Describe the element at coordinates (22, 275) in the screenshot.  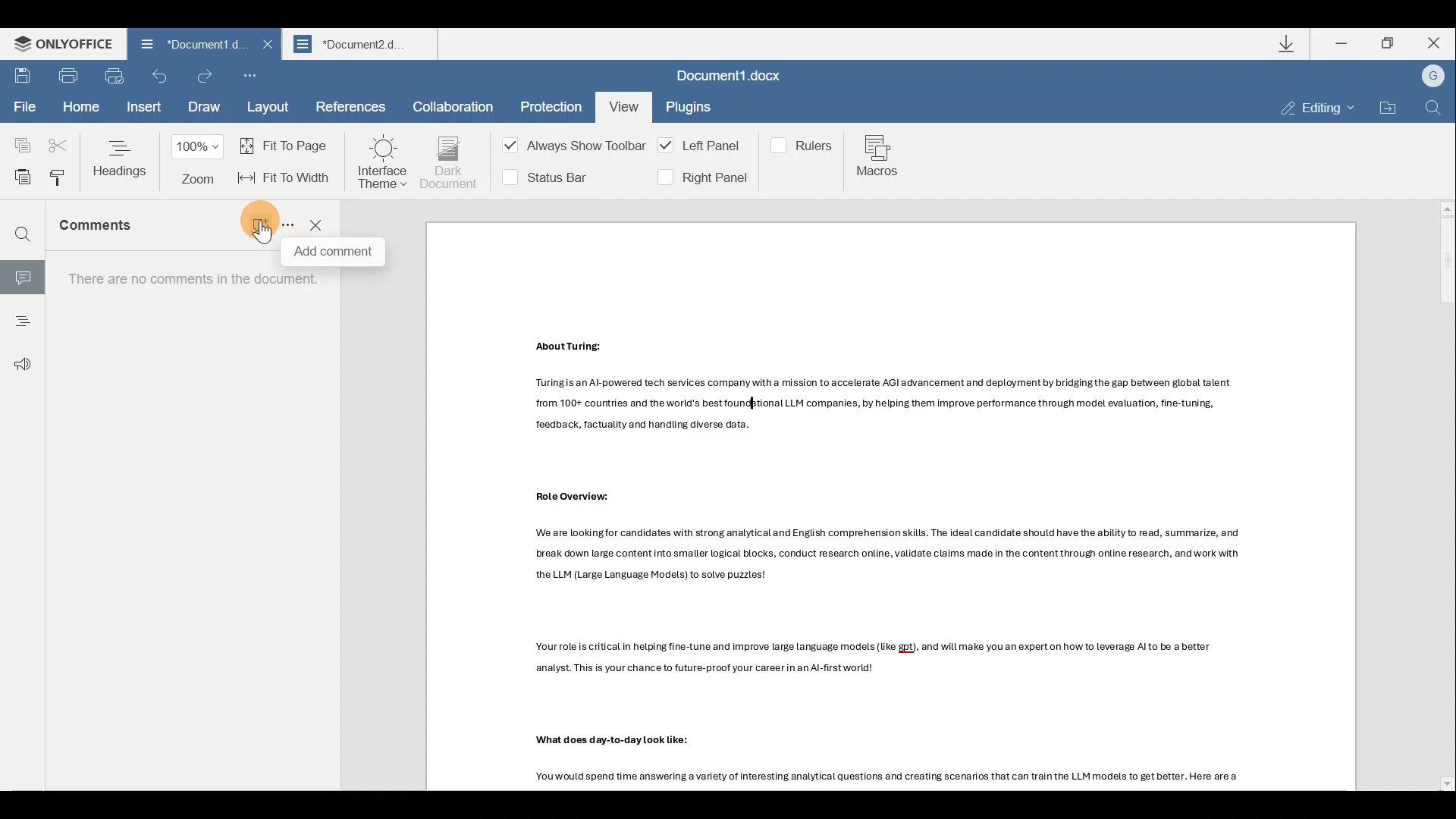
I see `Comment` at that location.